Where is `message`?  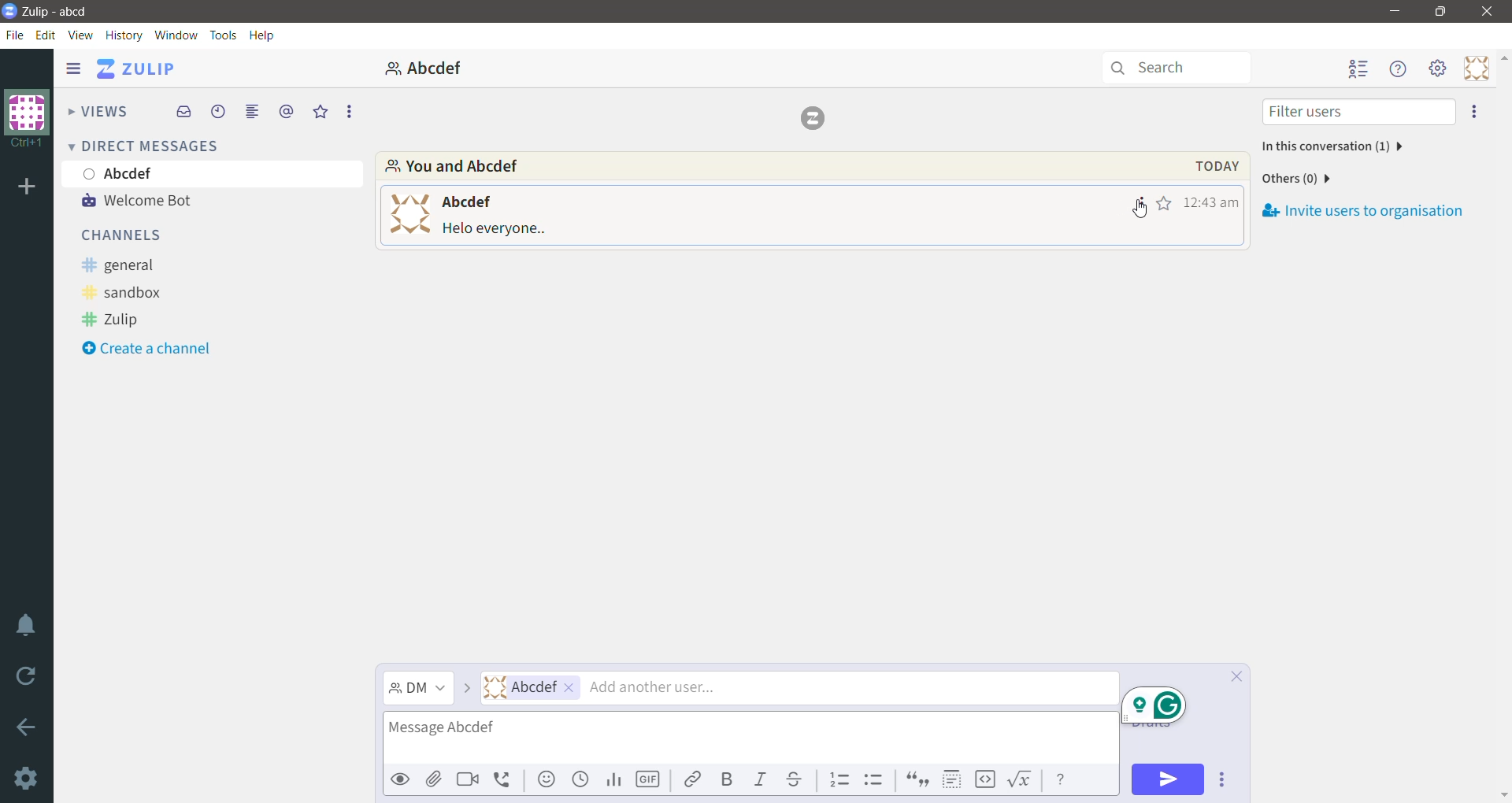
message is located at coordinates (496, 230).